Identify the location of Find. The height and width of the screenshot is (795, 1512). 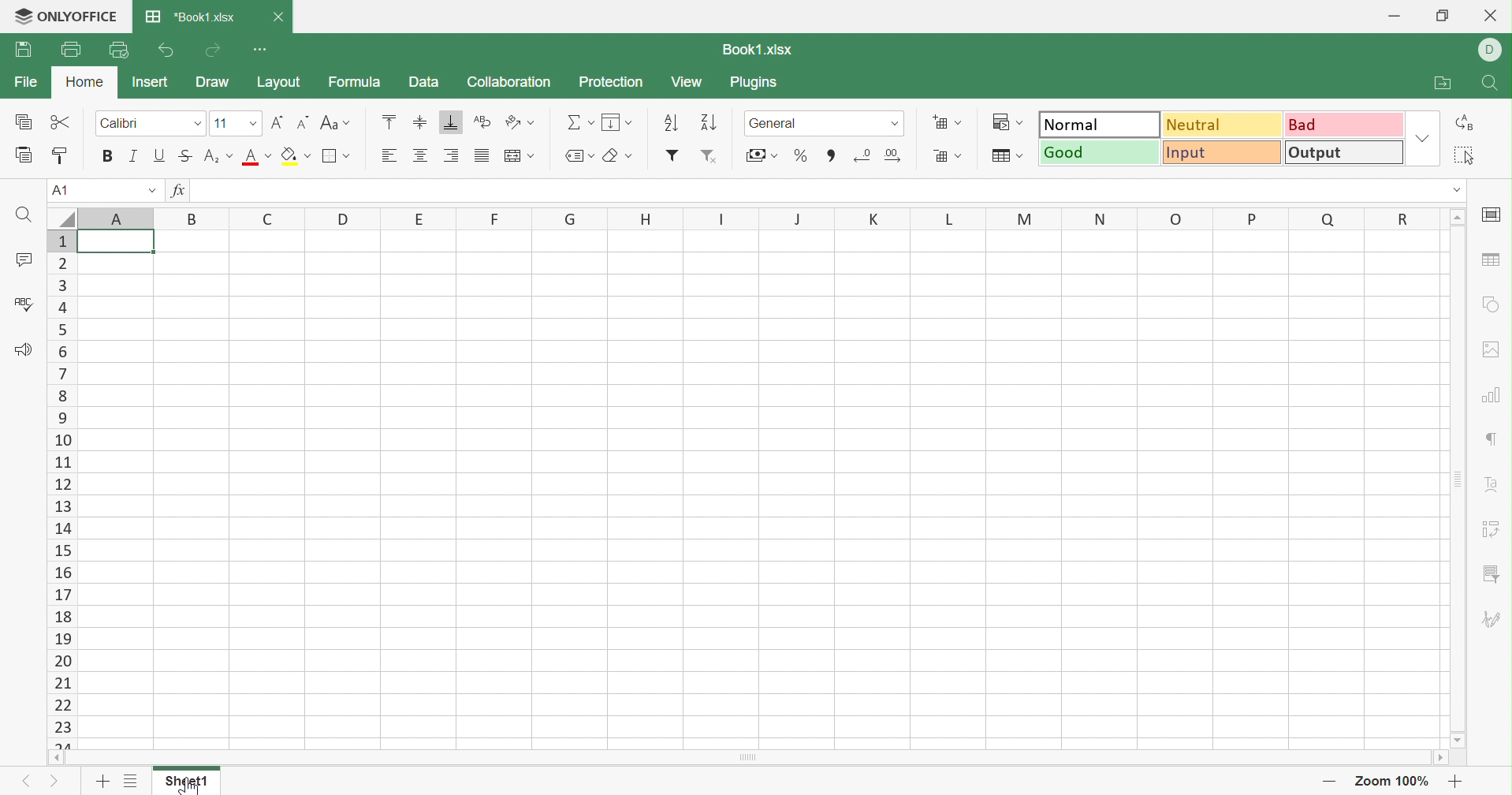
(23, 215).